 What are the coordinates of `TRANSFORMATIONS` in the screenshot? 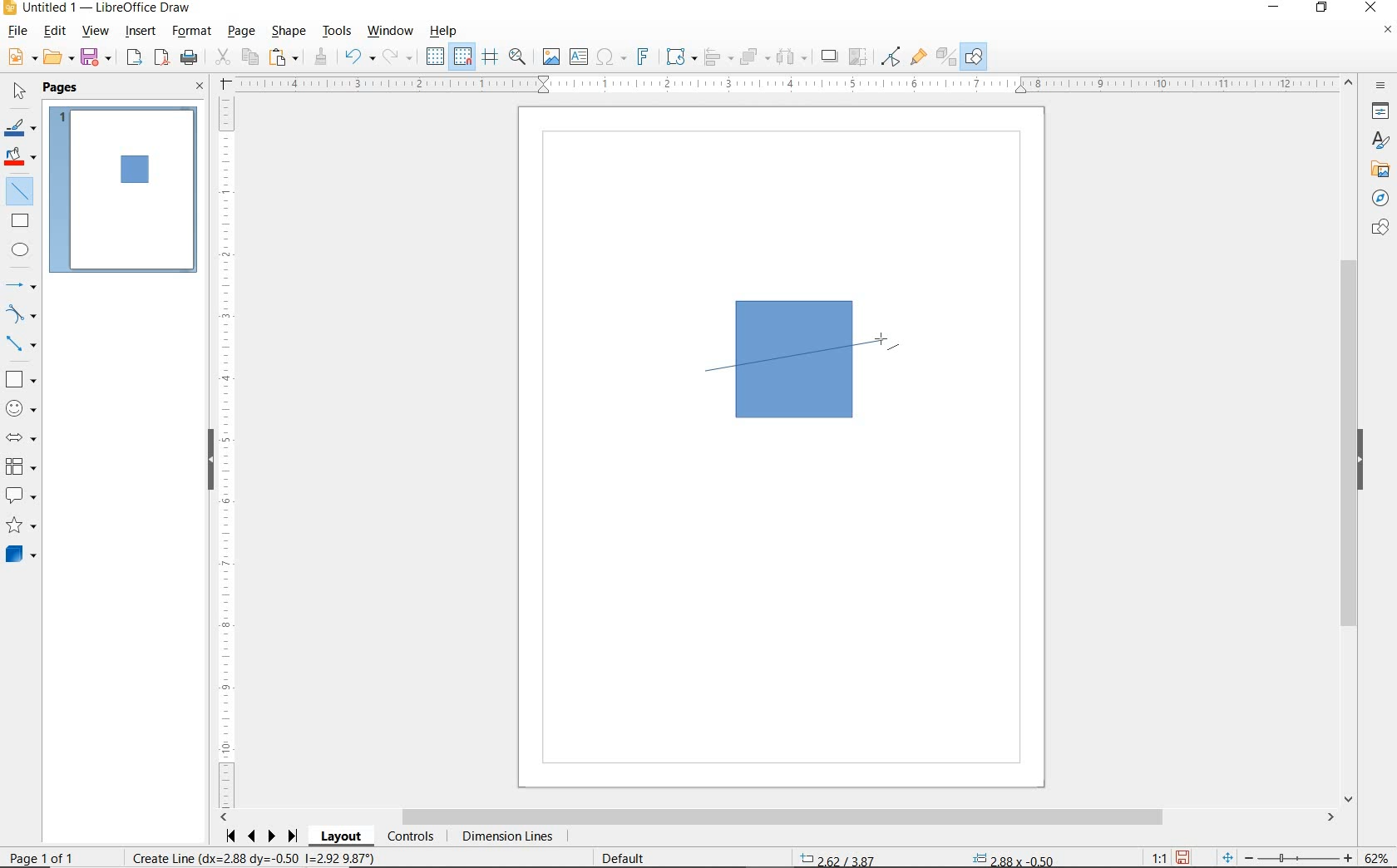 It's located at (679, 57).